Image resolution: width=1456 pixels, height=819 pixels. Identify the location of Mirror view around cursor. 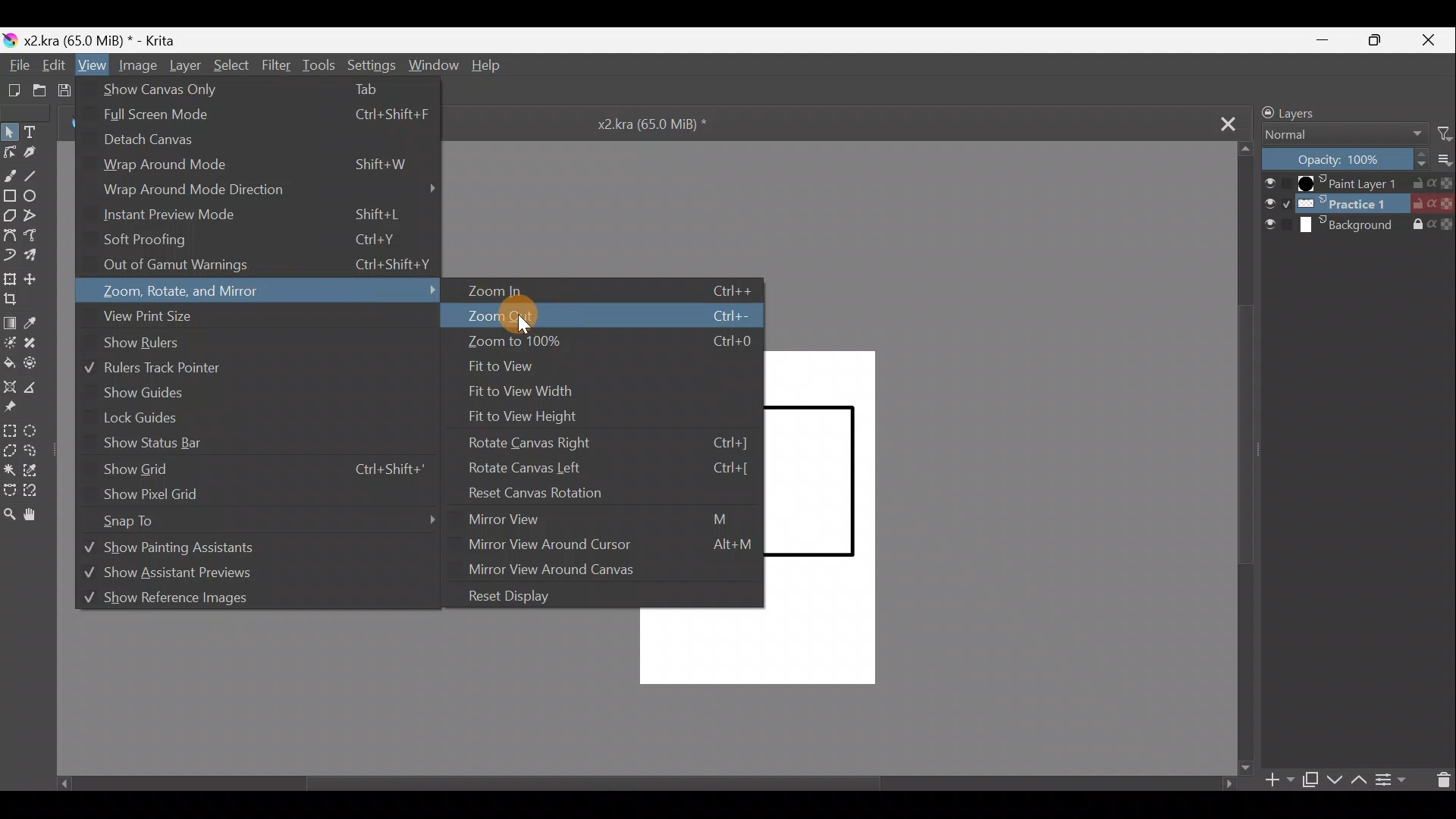
(610, 545).